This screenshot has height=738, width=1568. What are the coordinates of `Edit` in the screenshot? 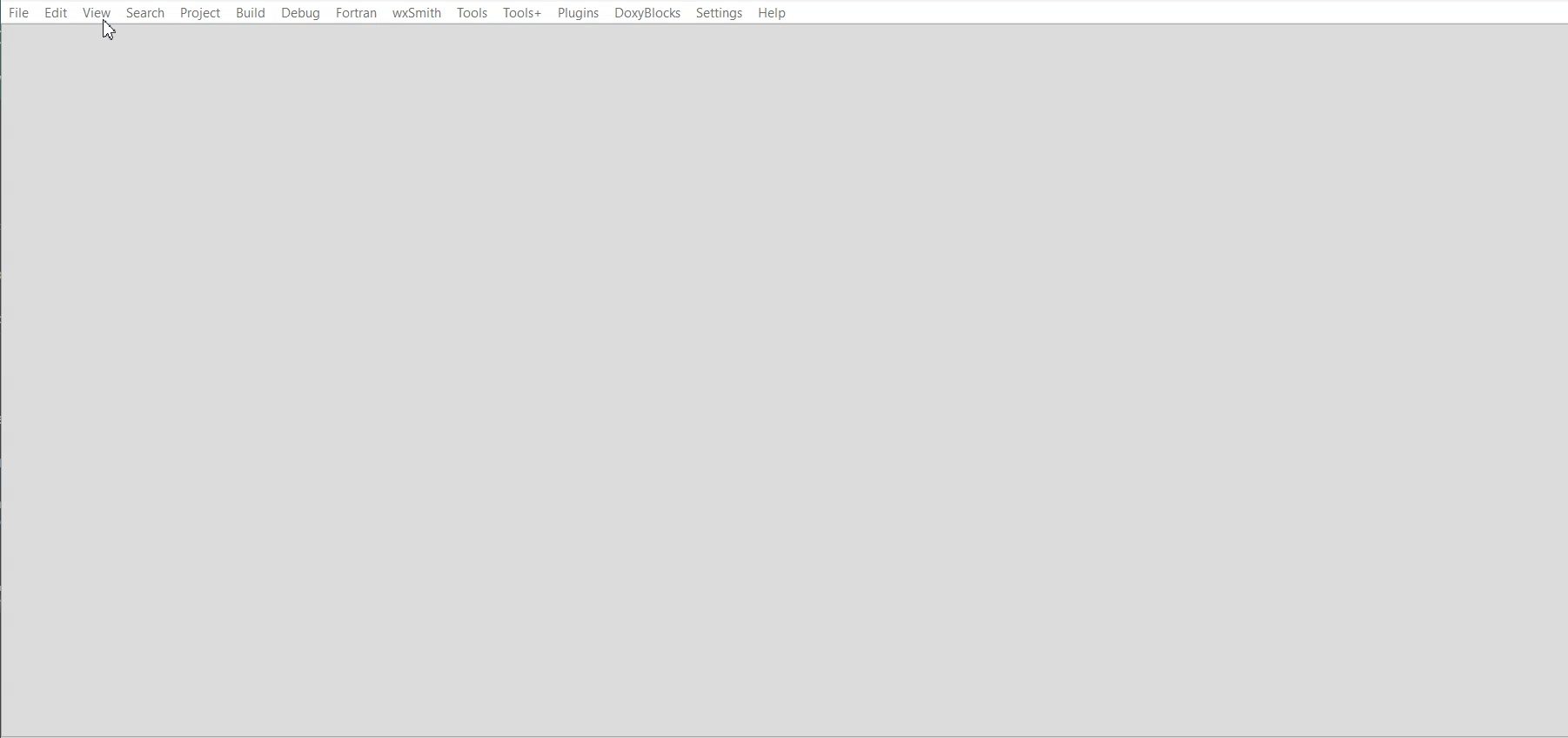 It's located at (56, 12).